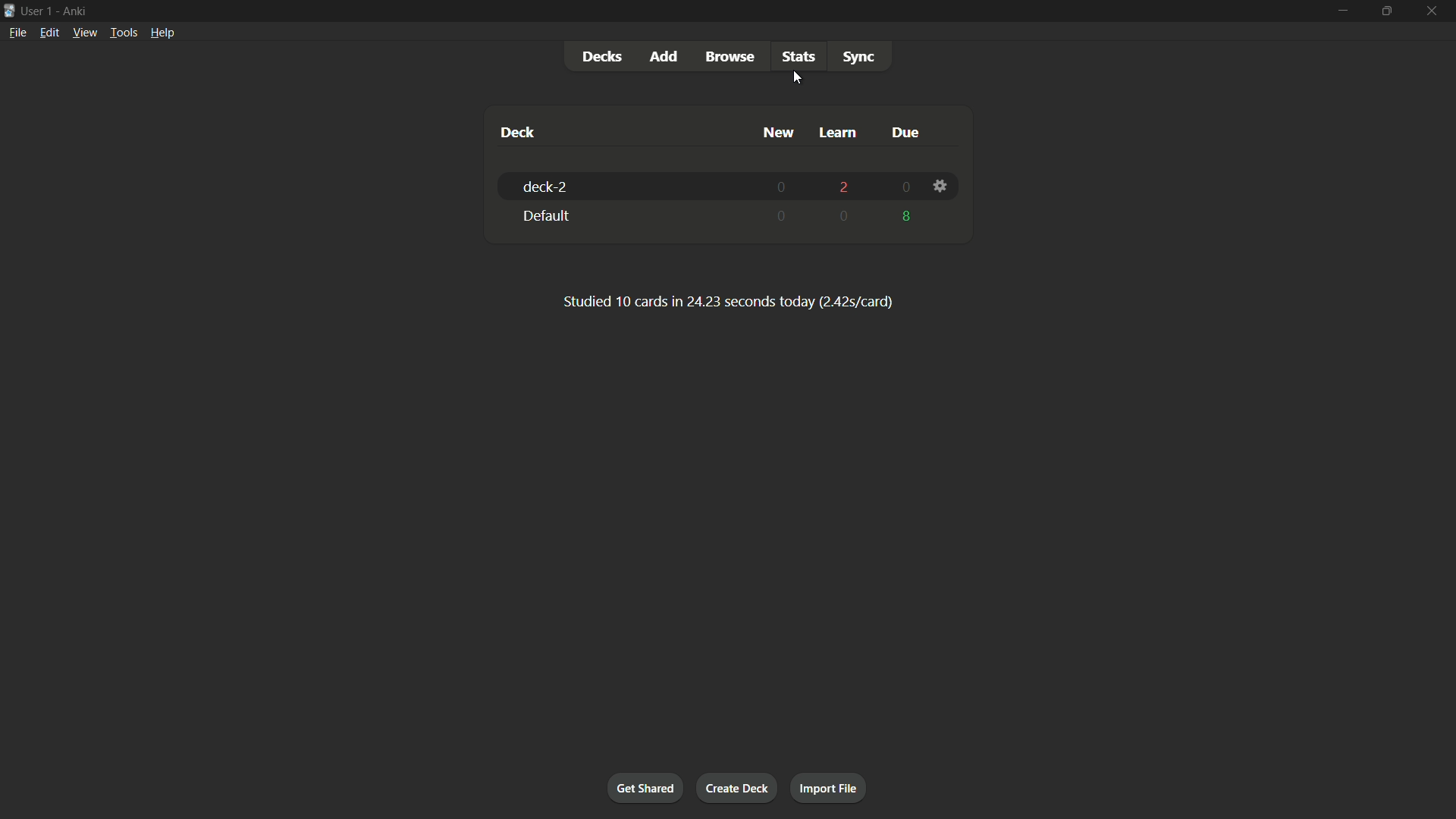  I want to click on Deck-2, so click(547, 186).